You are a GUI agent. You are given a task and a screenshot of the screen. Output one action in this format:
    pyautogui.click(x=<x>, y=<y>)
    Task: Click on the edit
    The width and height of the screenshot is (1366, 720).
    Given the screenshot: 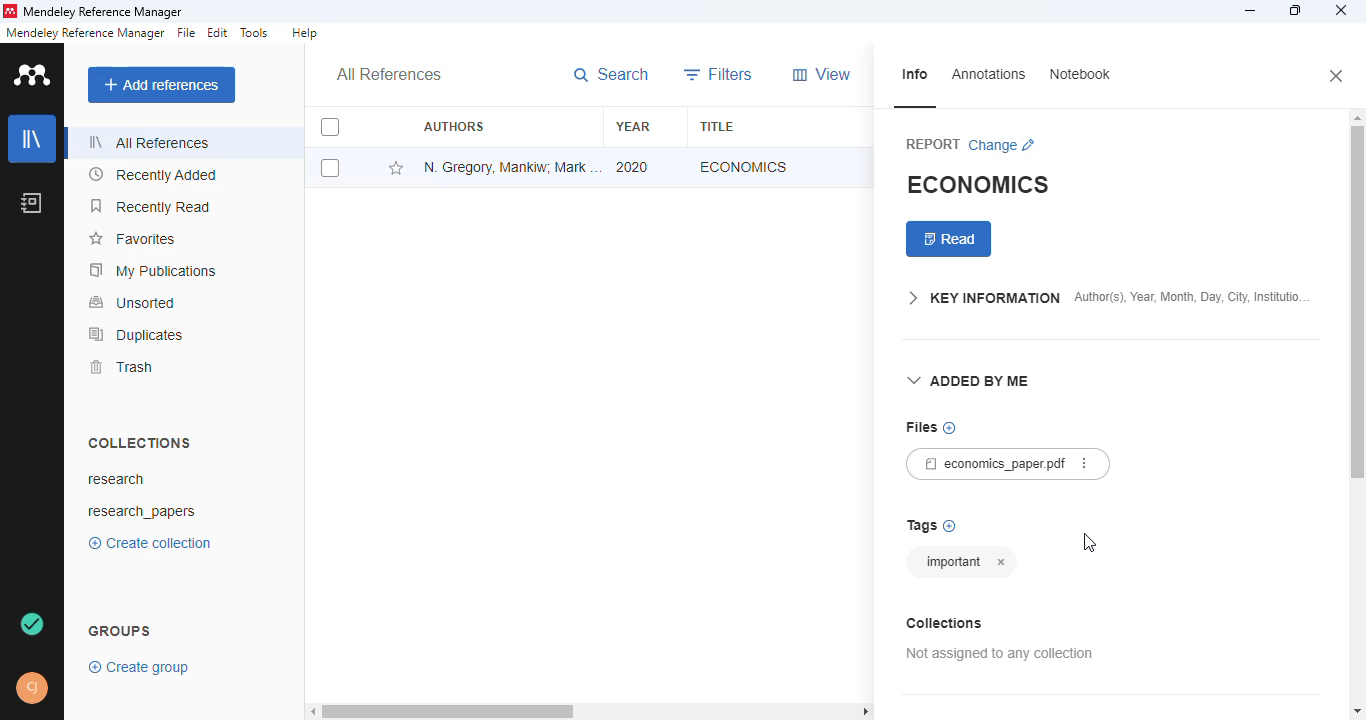 What is the action you would take?
    pyautogui.click(x=219, y=32)
    